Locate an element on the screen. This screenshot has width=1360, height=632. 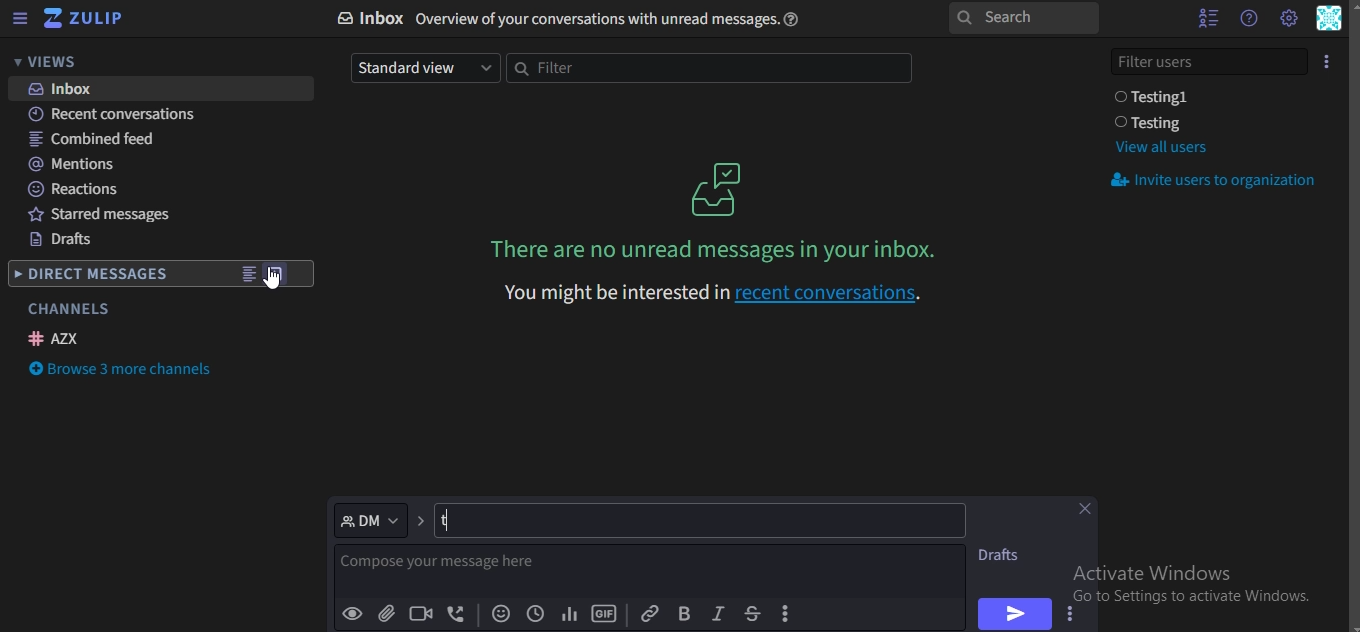
personal menu is located at coordinates (1330, 20).